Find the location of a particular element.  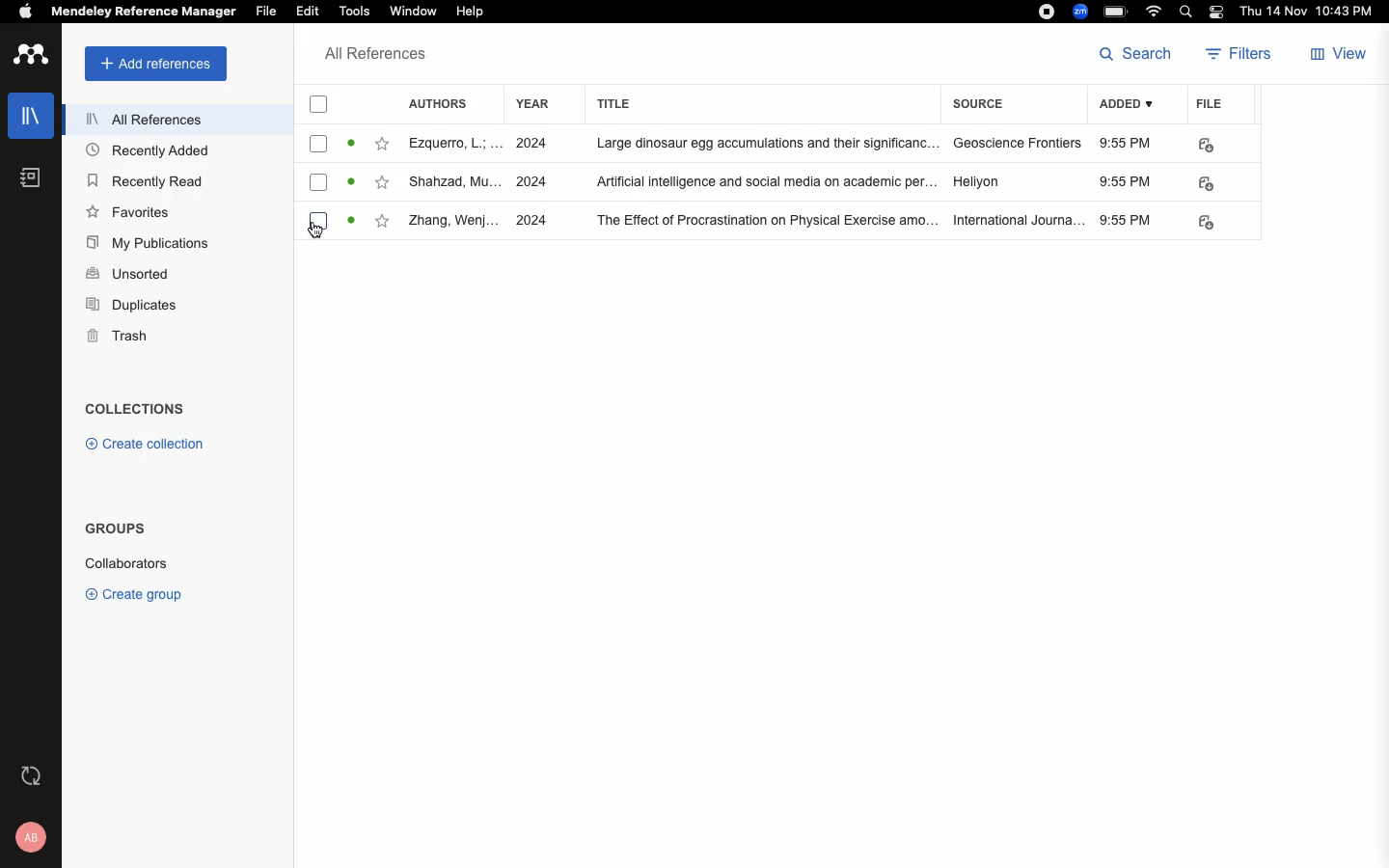

Hellyon is located at coordinates (978, 179).